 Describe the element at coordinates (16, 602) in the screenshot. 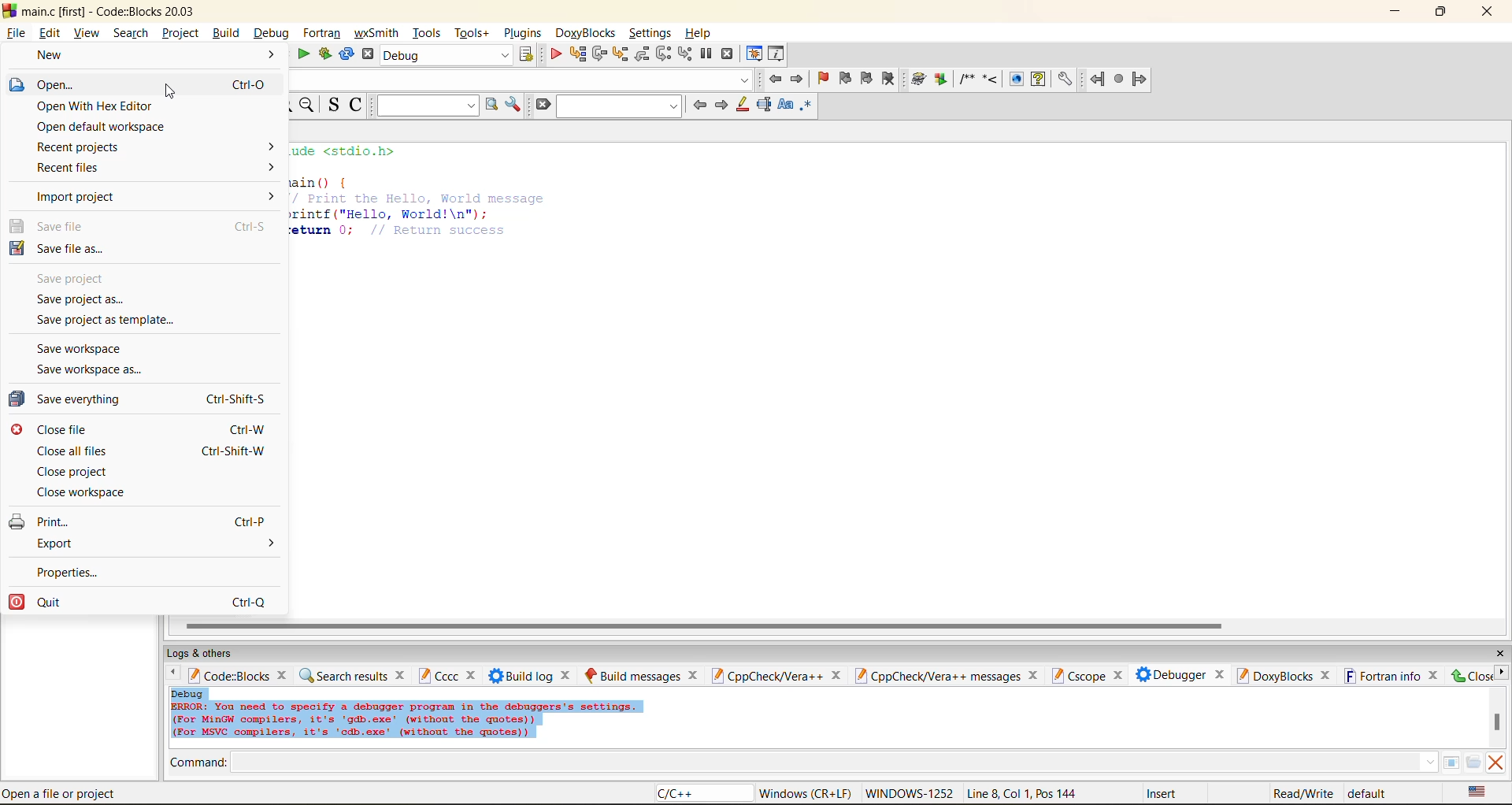

I see `quit icon` at that location.